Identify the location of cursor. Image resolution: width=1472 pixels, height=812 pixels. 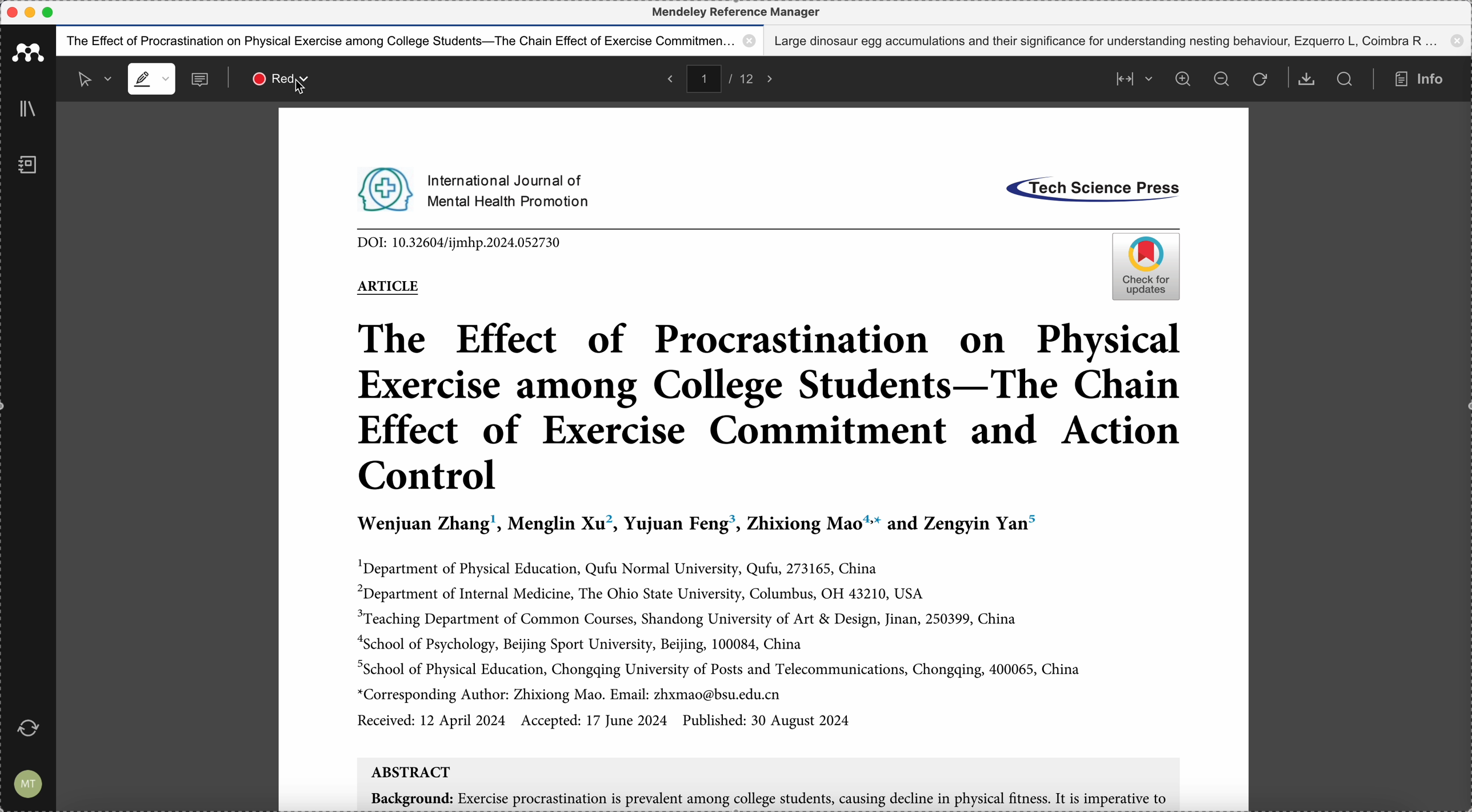
(303, 86).